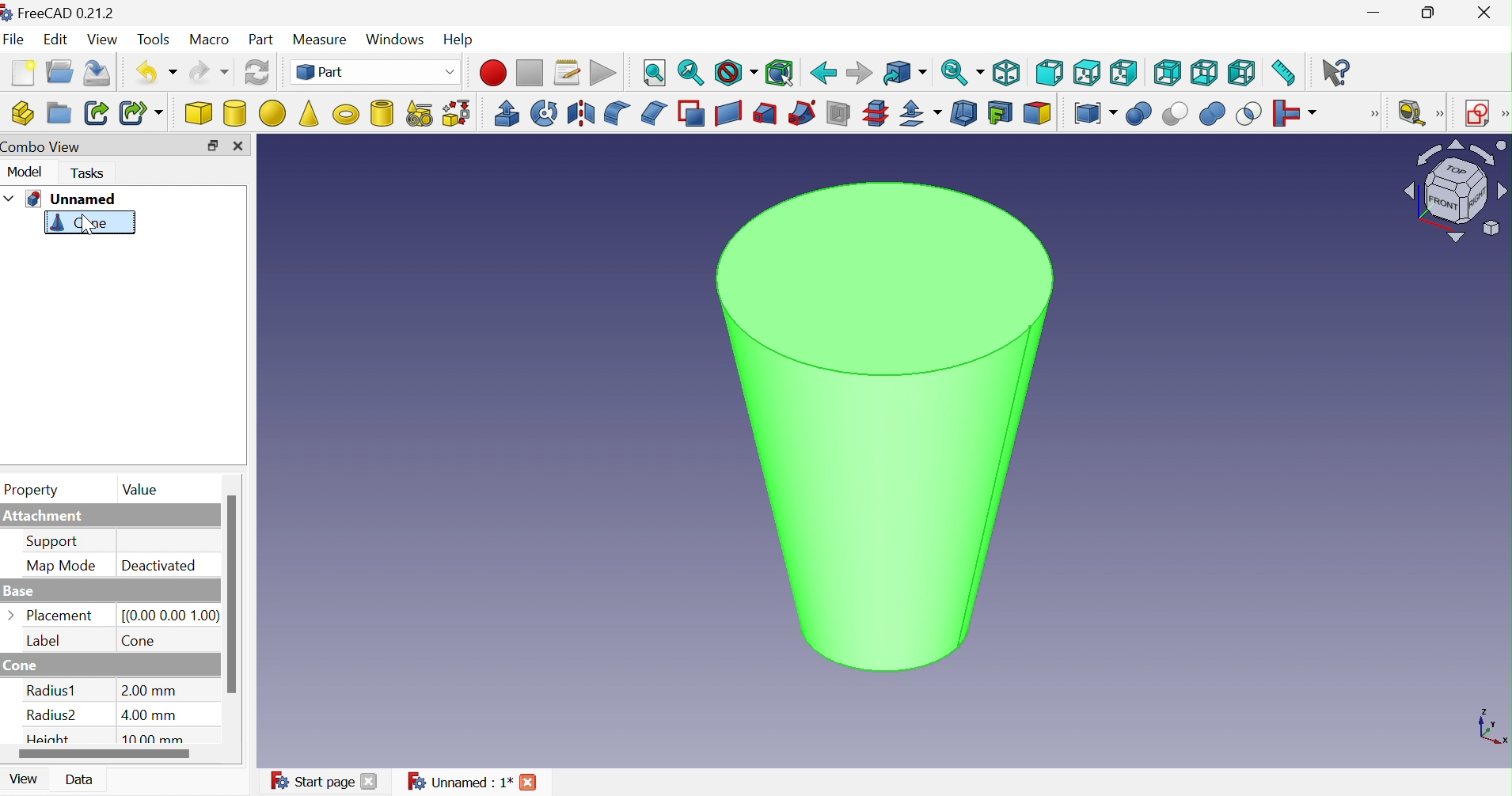  Describe the element at coordinates (419, 112) in the screenshot. I see `Create primitives` at that location.